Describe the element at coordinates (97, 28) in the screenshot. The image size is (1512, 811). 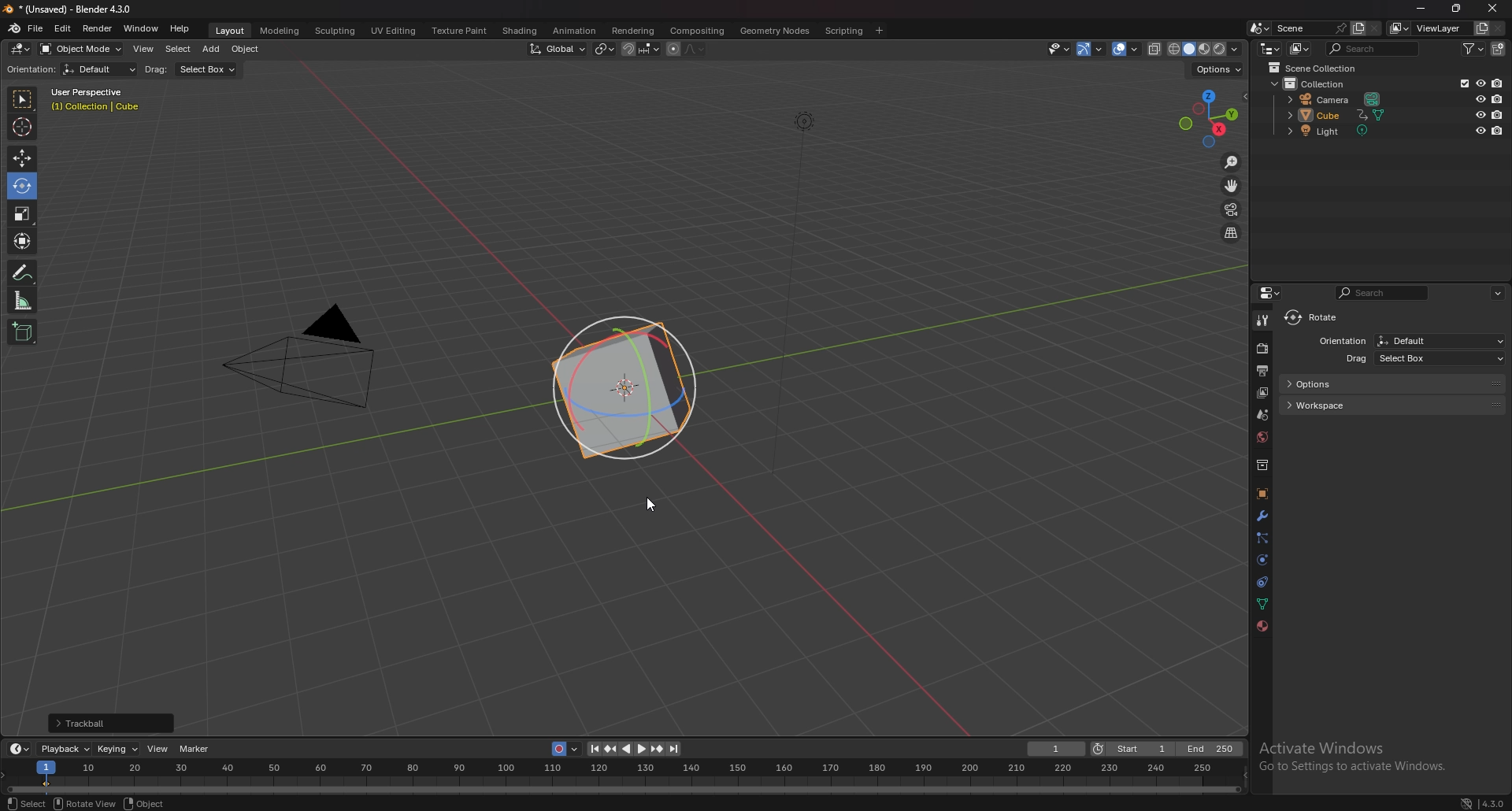
I see `render` at that location.